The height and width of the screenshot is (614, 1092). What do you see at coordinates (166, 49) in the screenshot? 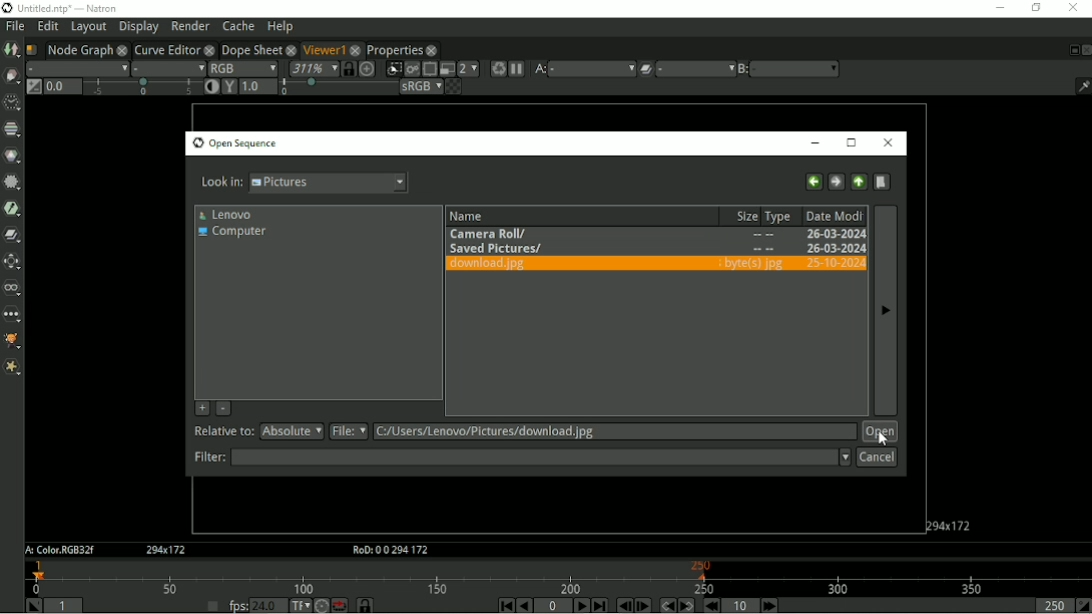
I see `Curve Editor` at bounding box center [166, 49].